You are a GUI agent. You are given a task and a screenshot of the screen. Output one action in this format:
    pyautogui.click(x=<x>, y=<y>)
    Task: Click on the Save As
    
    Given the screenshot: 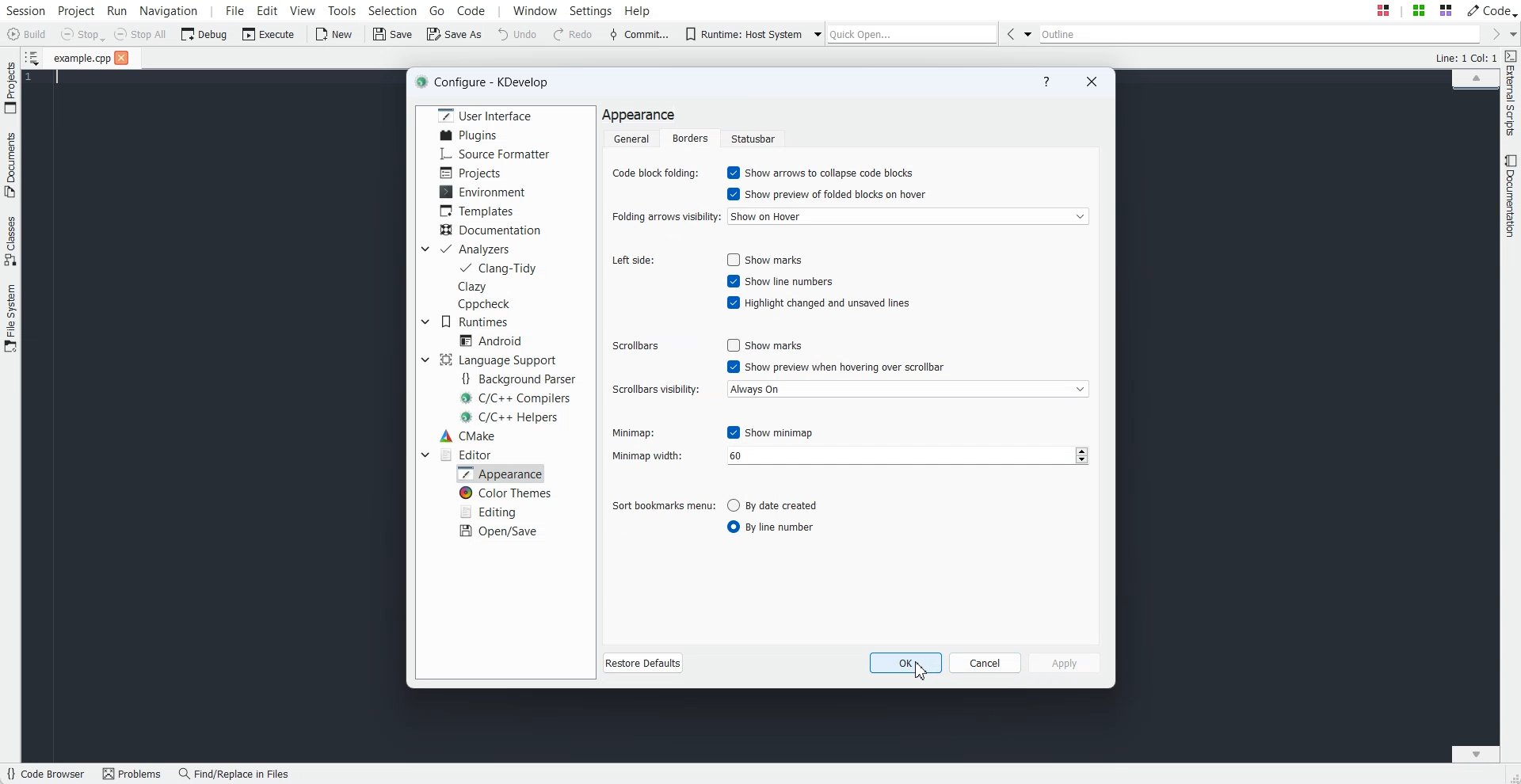 What is the action you would take?
    pyautogui.click(x=452, y=33)
    